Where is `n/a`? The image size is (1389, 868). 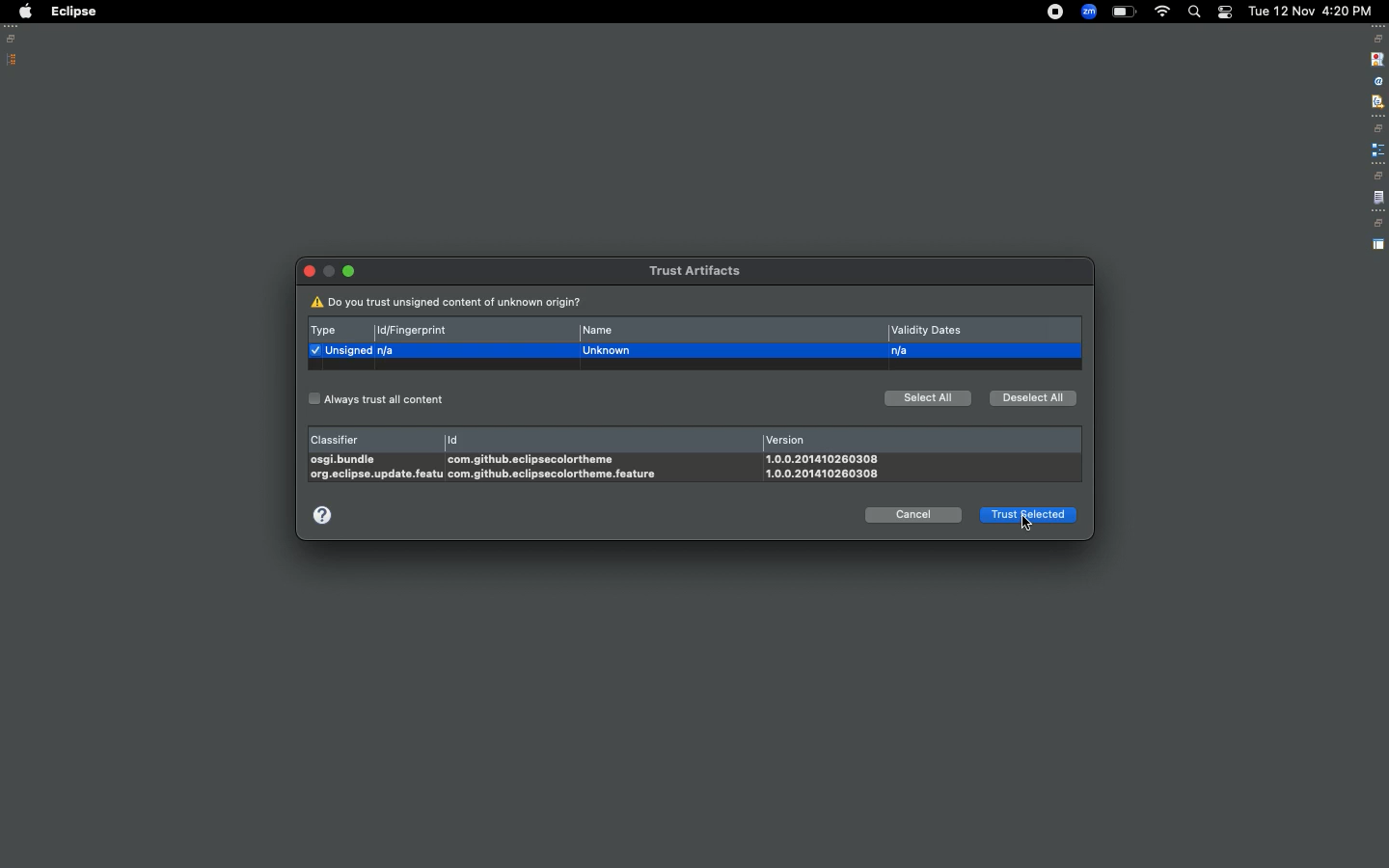
n/a is located at coordinates (906, 351).